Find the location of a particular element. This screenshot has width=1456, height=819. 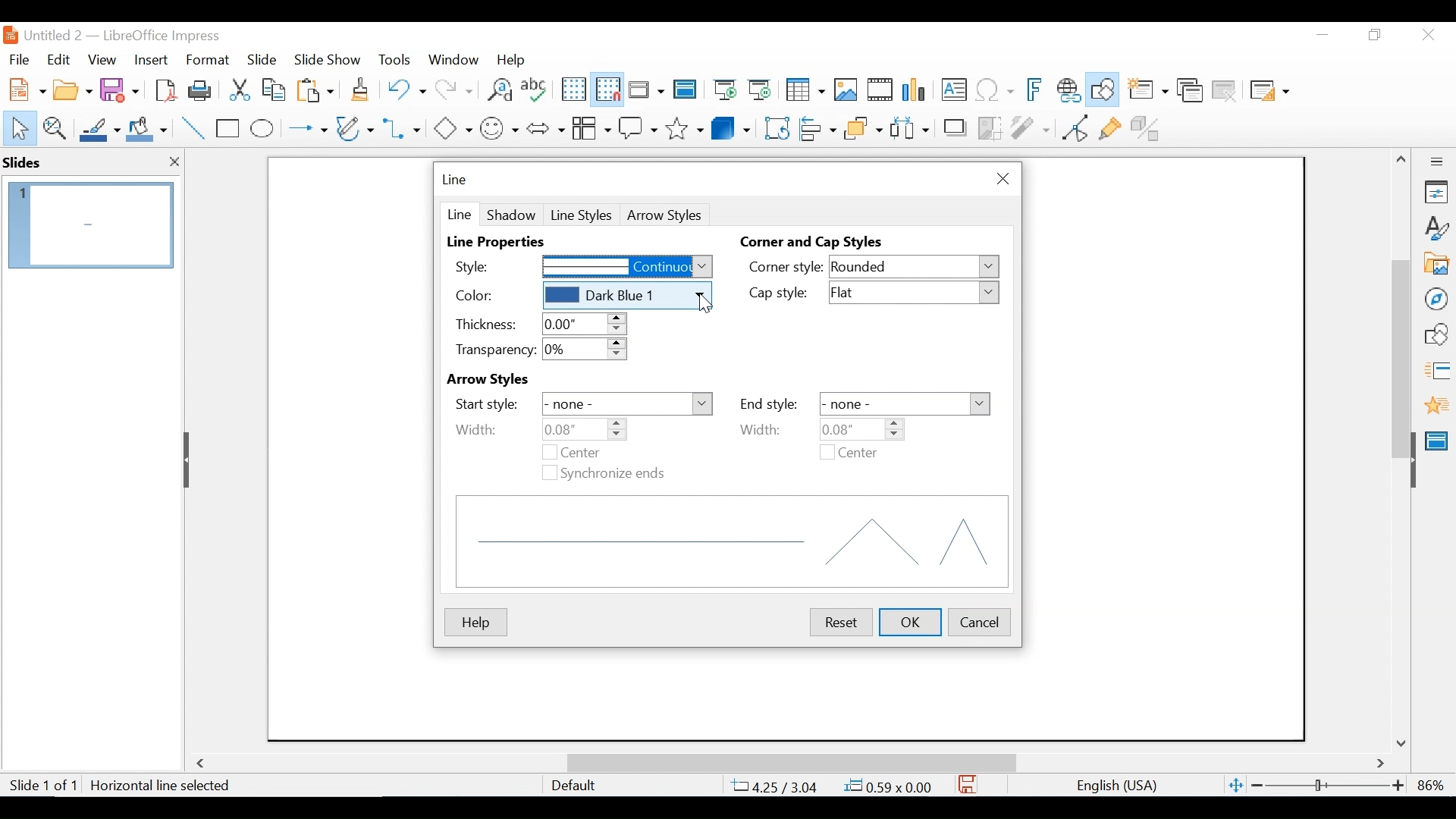

Basic Shapes is located at coordinates (452, 127).